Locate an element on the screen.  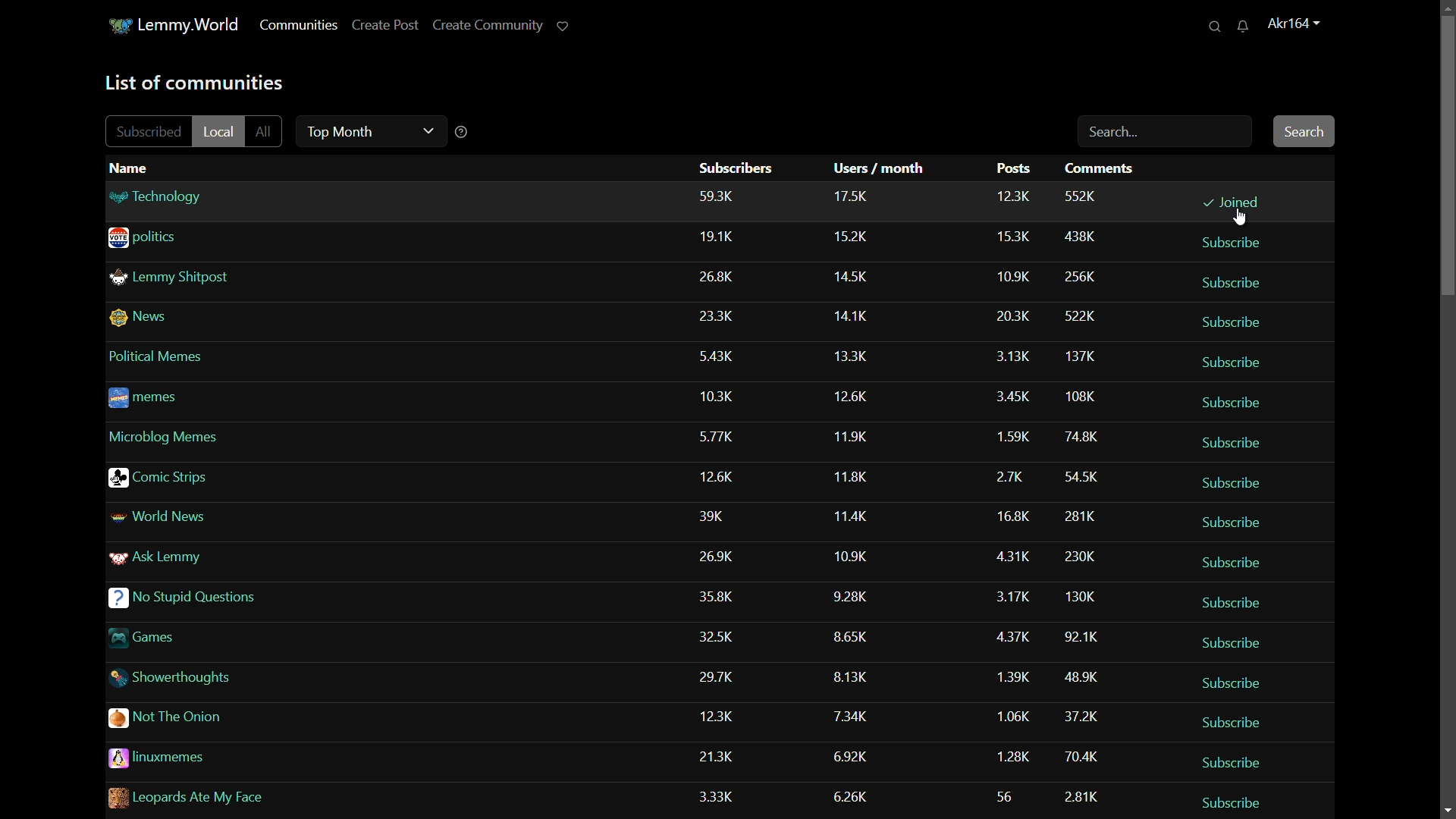
subscribe/unsubscribe is located at coordinates (1232, 721).